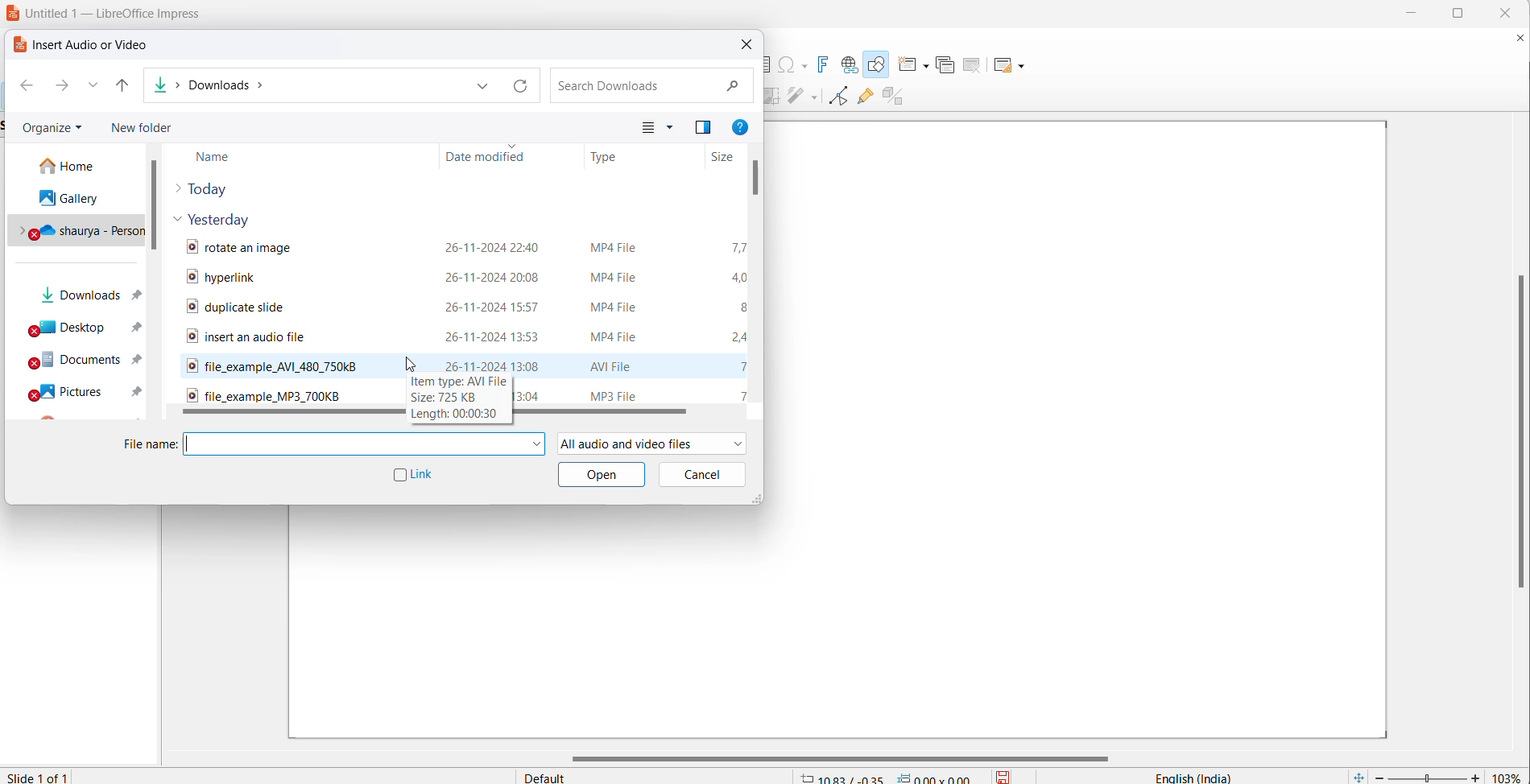 This screenshot has height=784, width=1530. Describe the element at coordinates (701, 475) in the screenshot. I see `cancel button` at that location.